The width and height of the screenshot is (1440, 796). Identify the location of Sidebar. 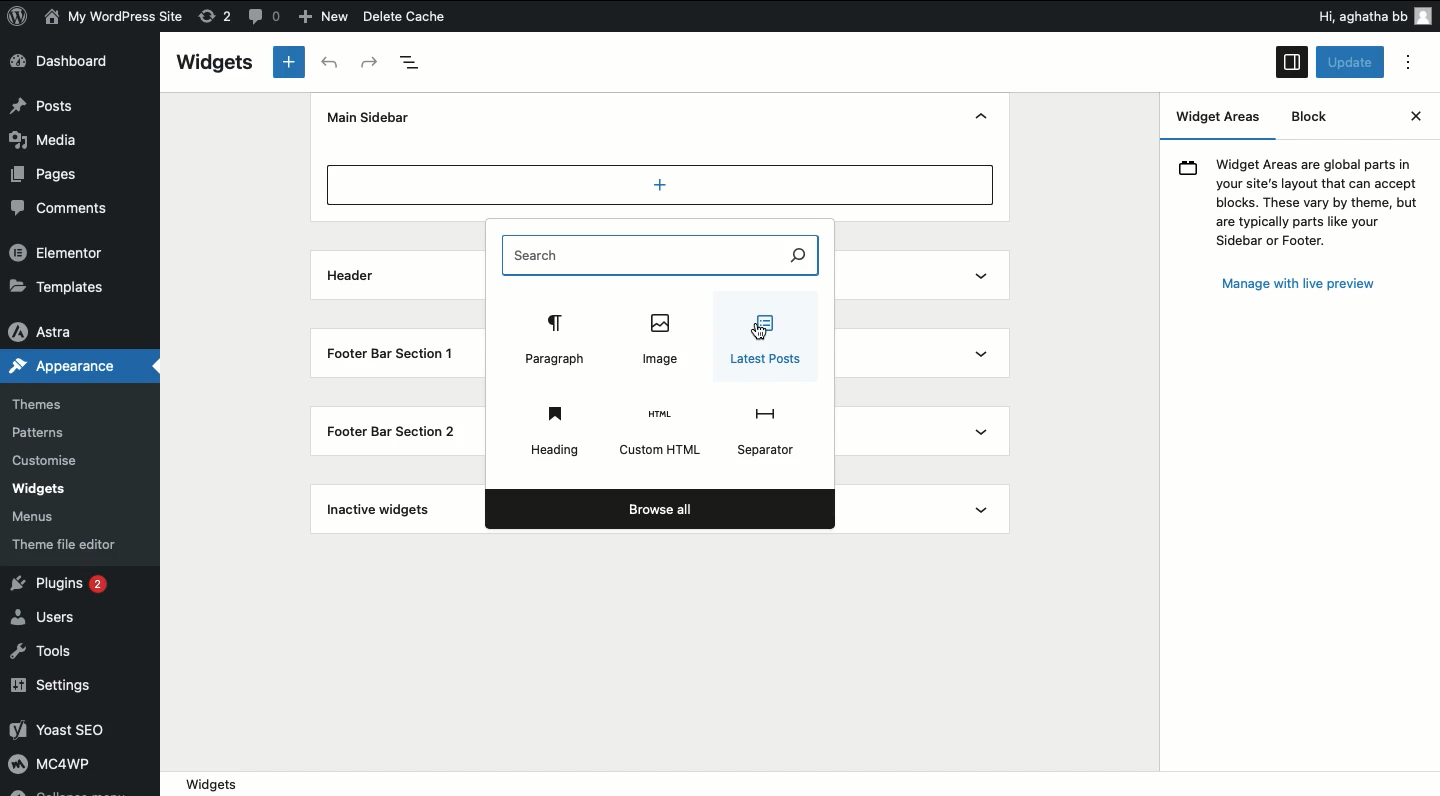
(1292, 62).